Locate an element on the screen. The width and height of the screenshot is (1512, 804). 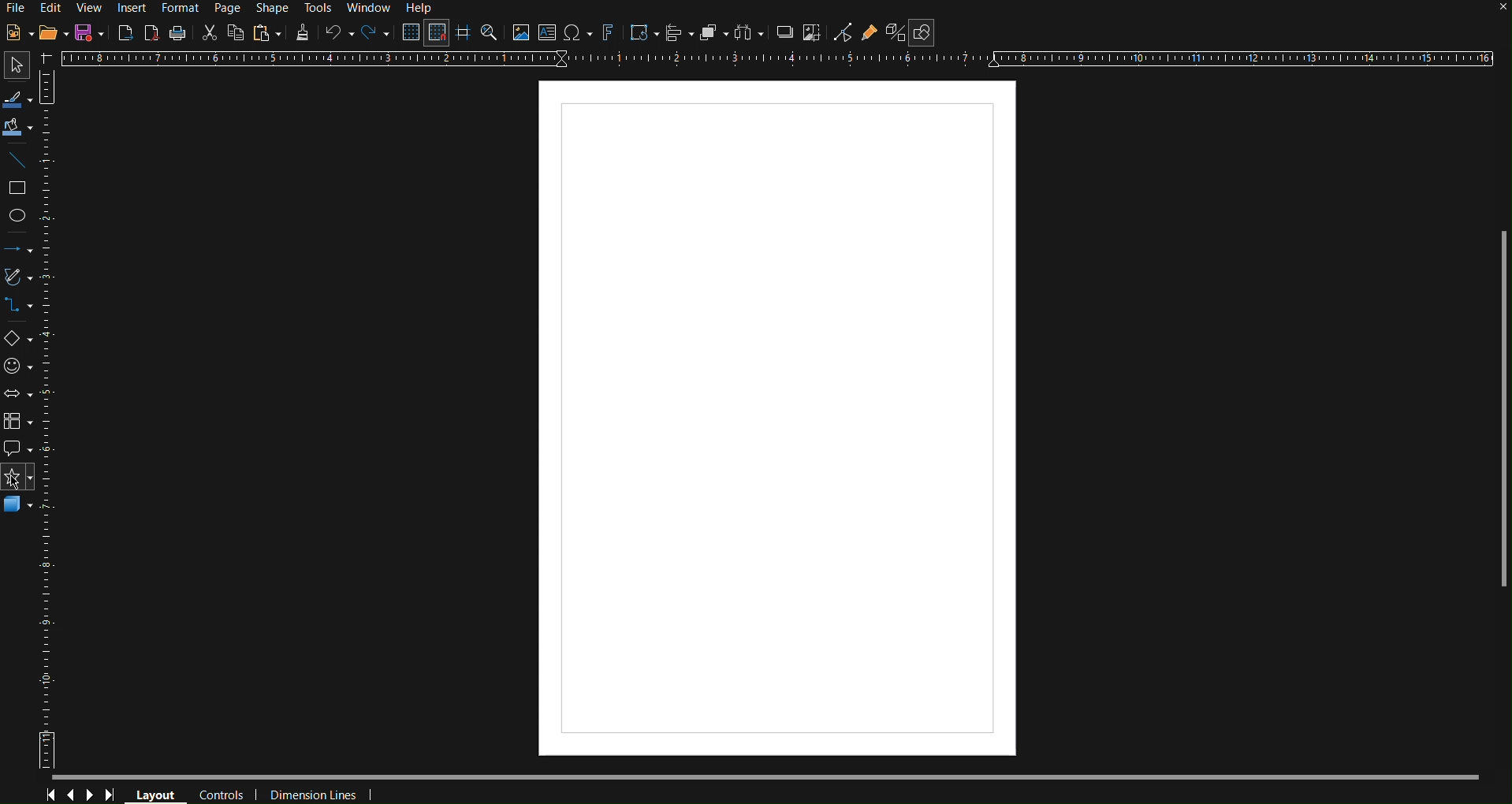
Basic Shapes is located at coordinates (19, 341).